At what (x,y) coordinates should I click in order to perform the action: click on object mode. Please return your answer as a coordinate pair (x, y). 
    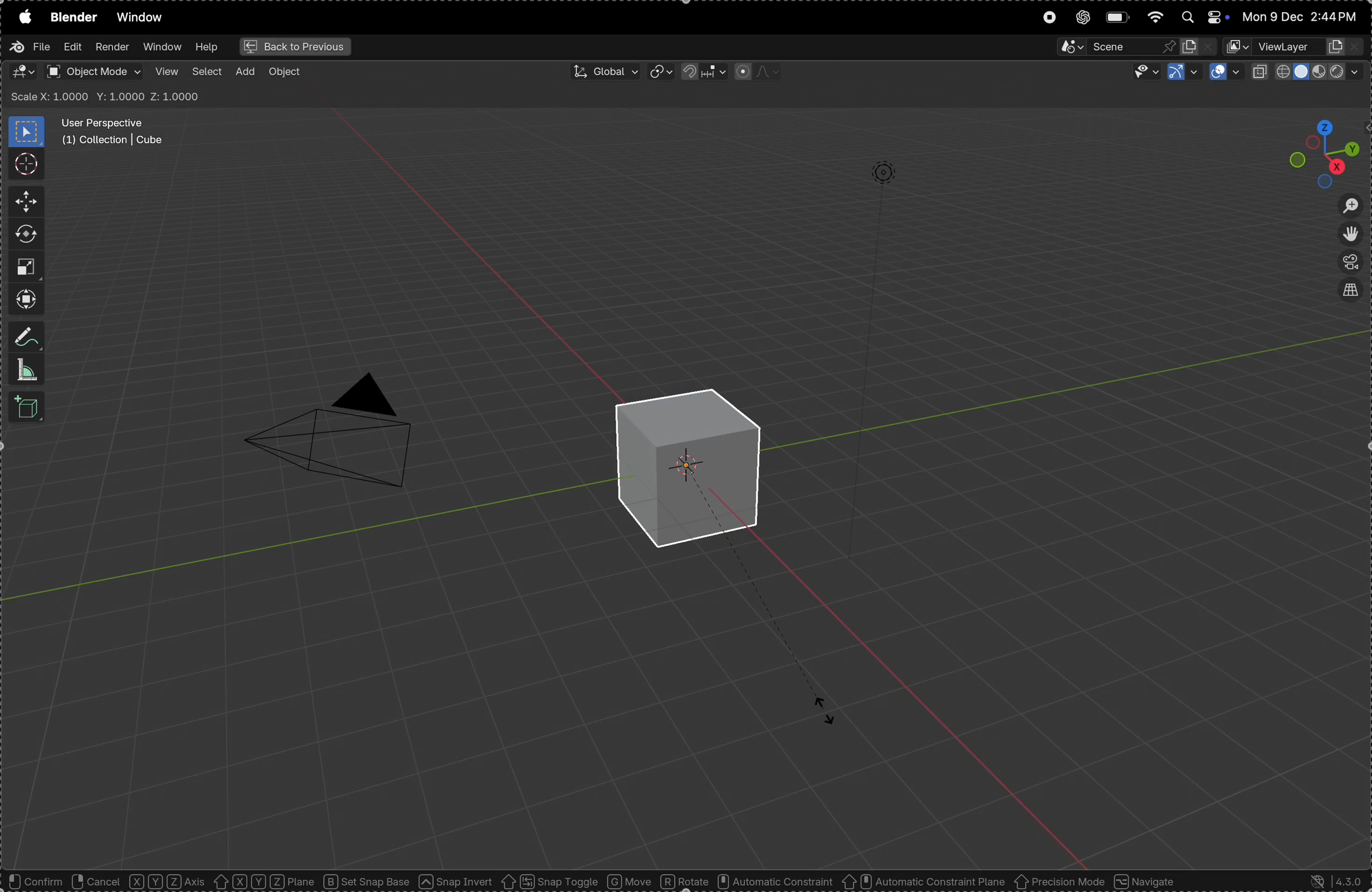
    Looking at the image, I should click on (95, 71).